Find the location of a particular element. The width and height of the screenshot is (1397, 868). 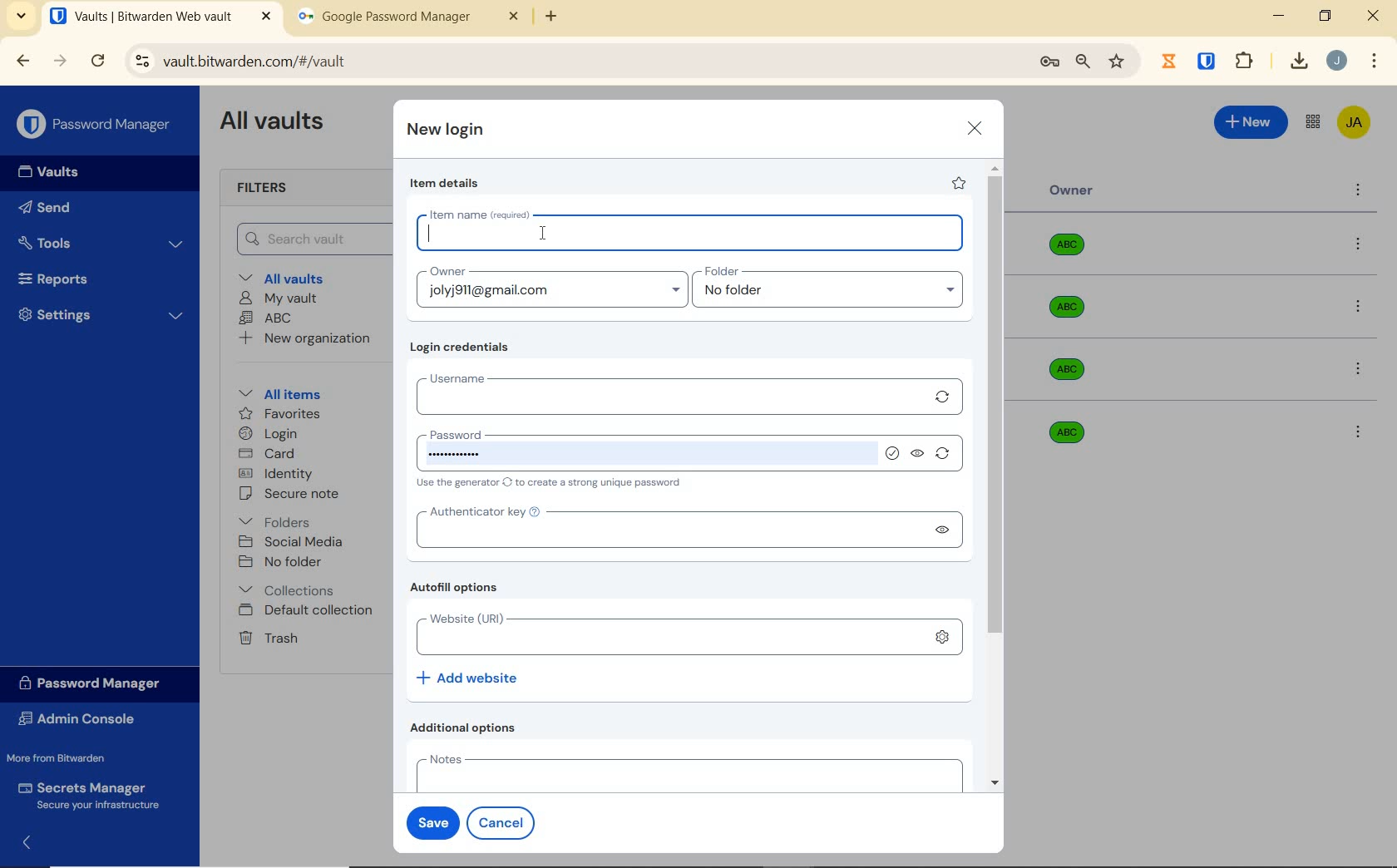

Authenticator key is located at coordinates (666, 529).